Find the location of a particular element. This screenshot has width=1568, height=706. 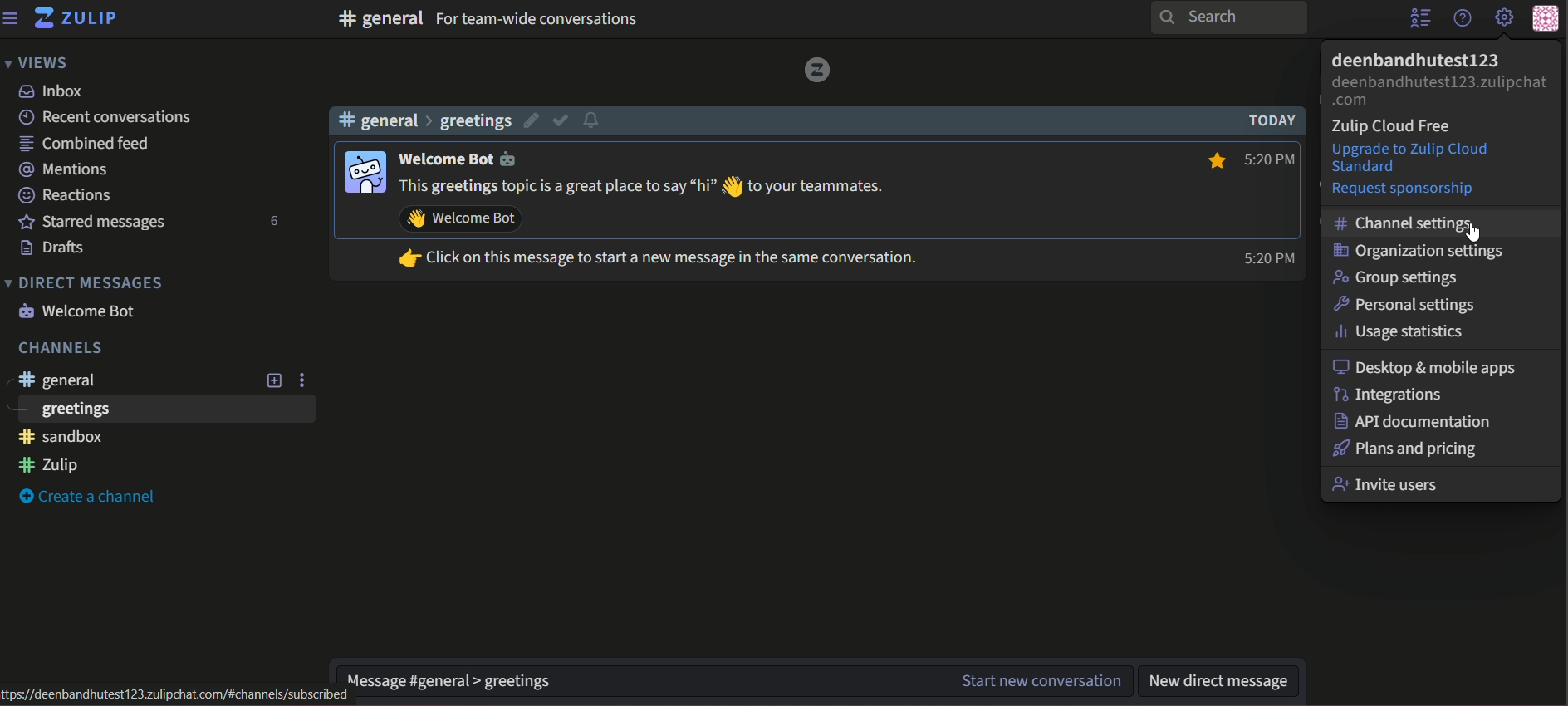

zulip cloud free is located at coordinates (1395, 128).